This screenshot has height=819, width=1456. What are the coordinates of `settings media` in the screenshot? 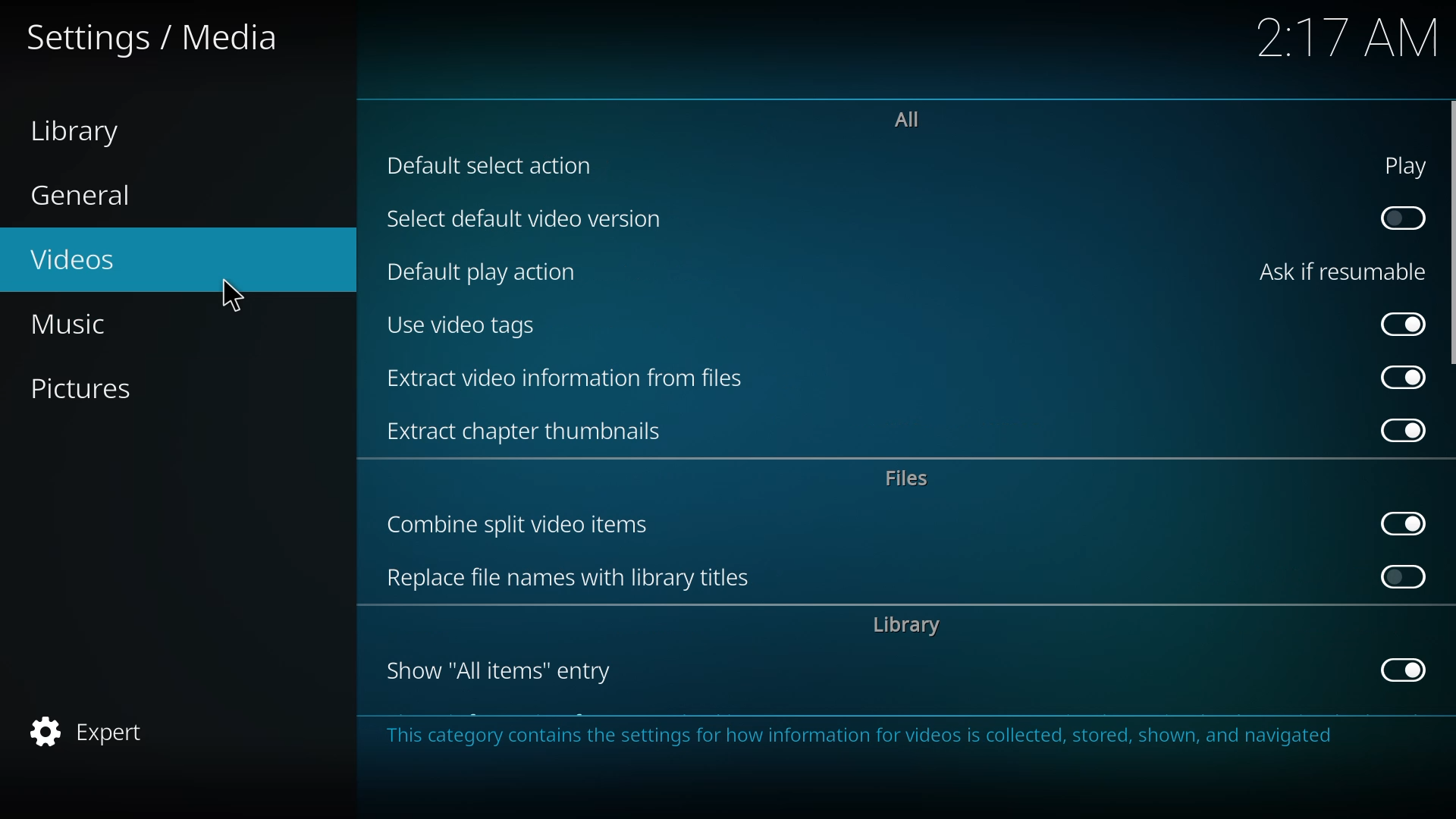 It's located at (162, 39).